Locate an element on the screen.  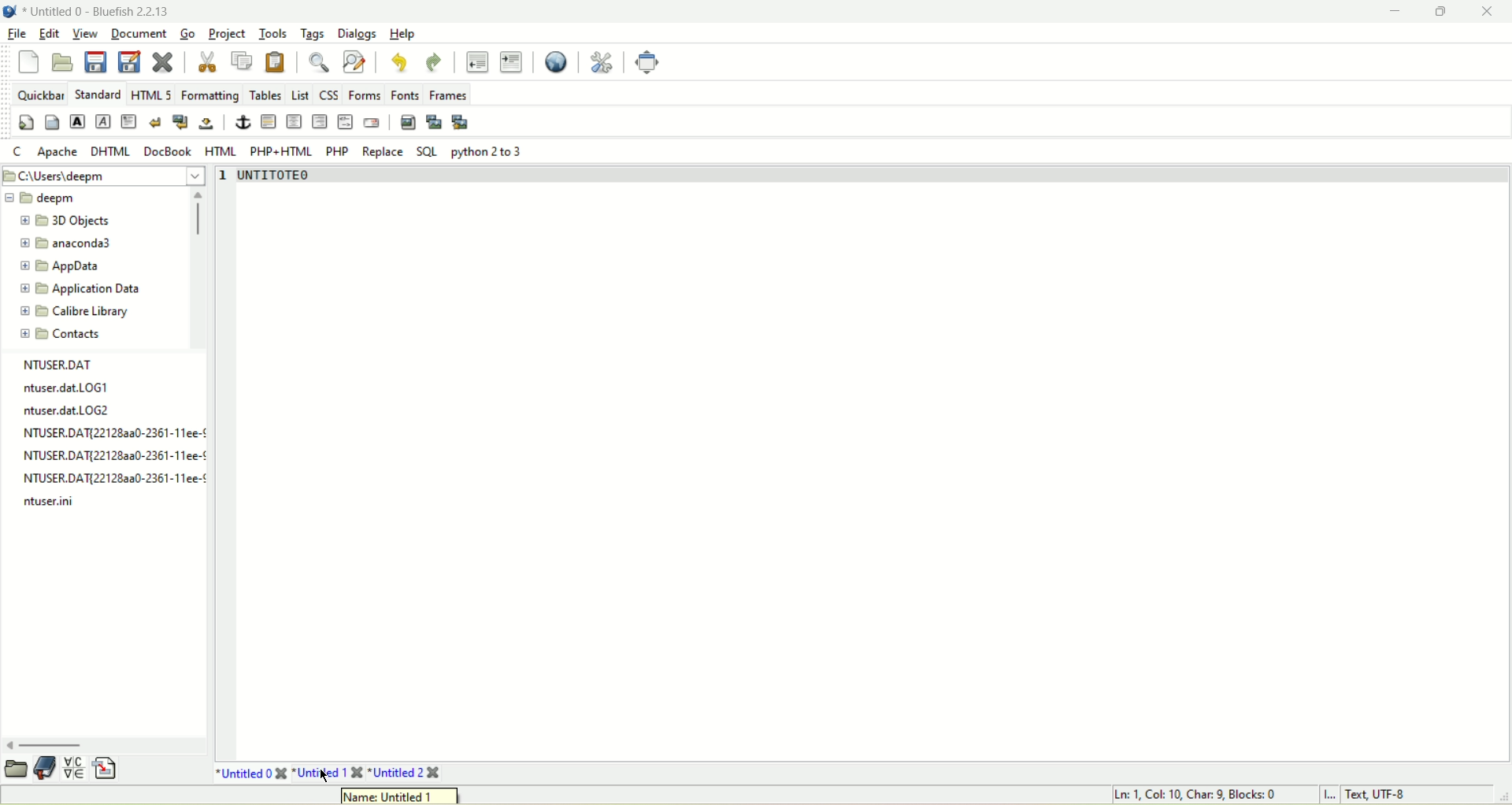
Tables is located at coordinates (266, 95).